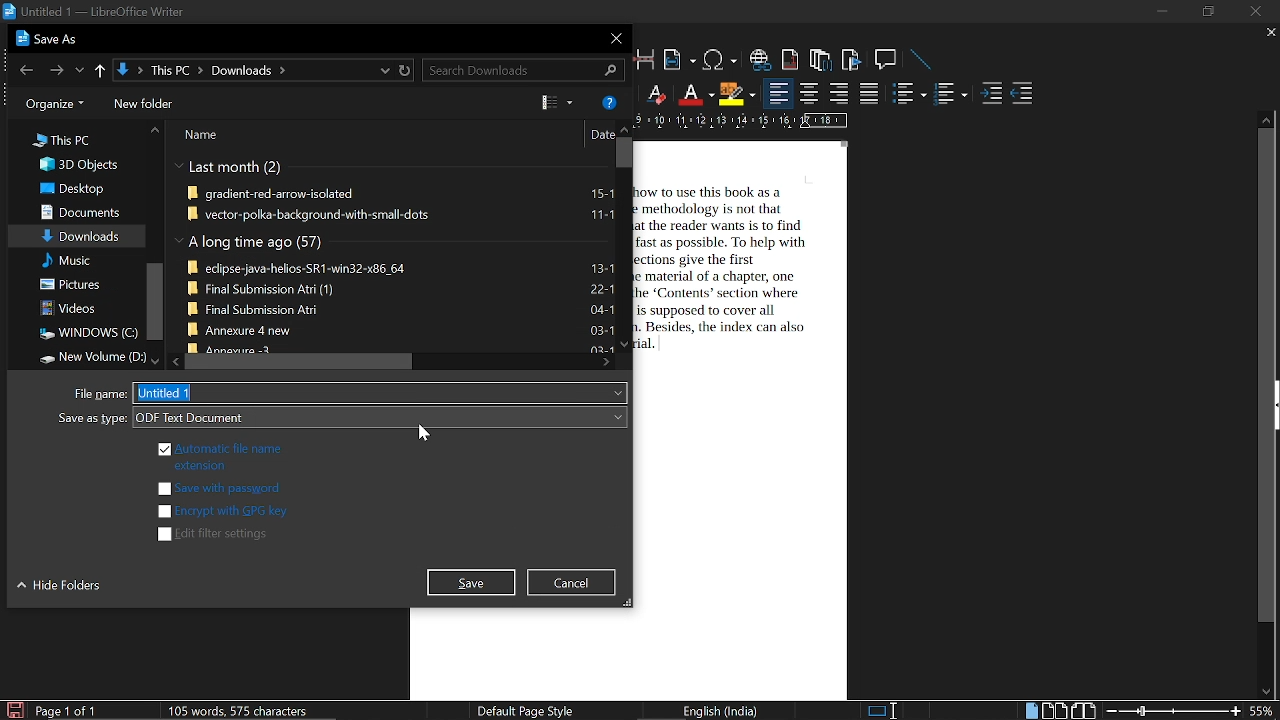 This screenshot has height=720, width=1280. I want to click on align center, so click(809, 94).